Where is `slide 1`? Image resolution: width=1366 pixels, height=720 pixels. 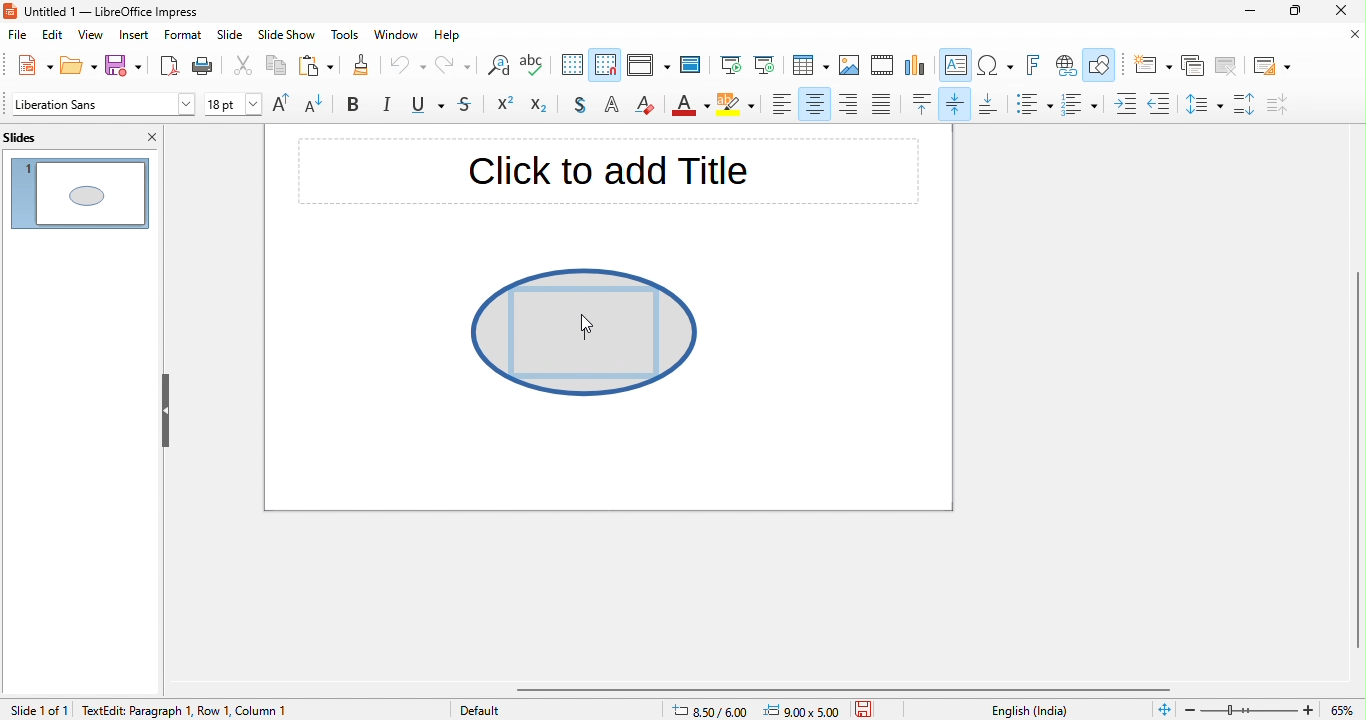
slide 1 is located at coordinates (80, 191).